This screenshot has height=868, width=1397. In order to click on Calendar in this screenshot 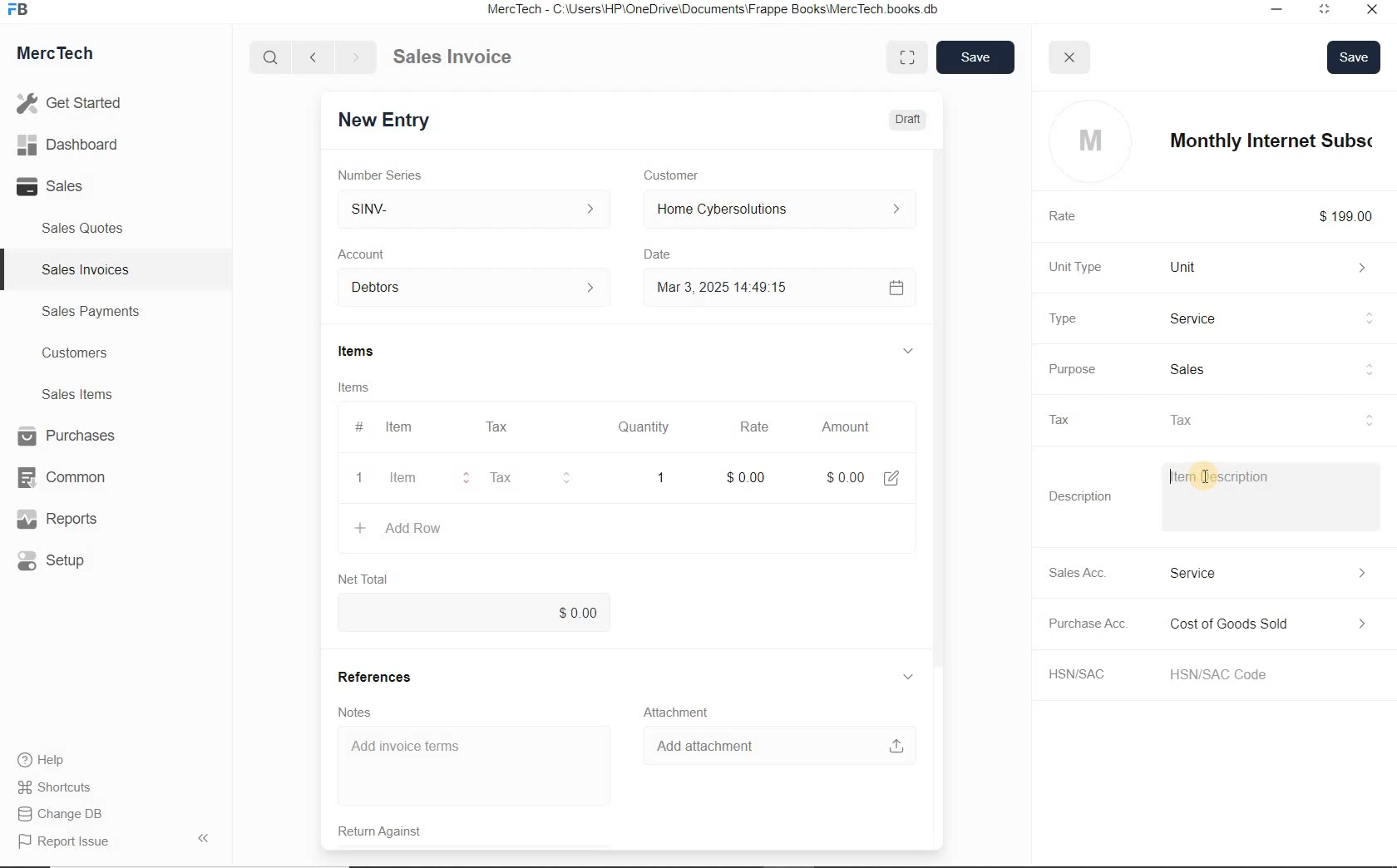, I will do `click(892, 287)`.